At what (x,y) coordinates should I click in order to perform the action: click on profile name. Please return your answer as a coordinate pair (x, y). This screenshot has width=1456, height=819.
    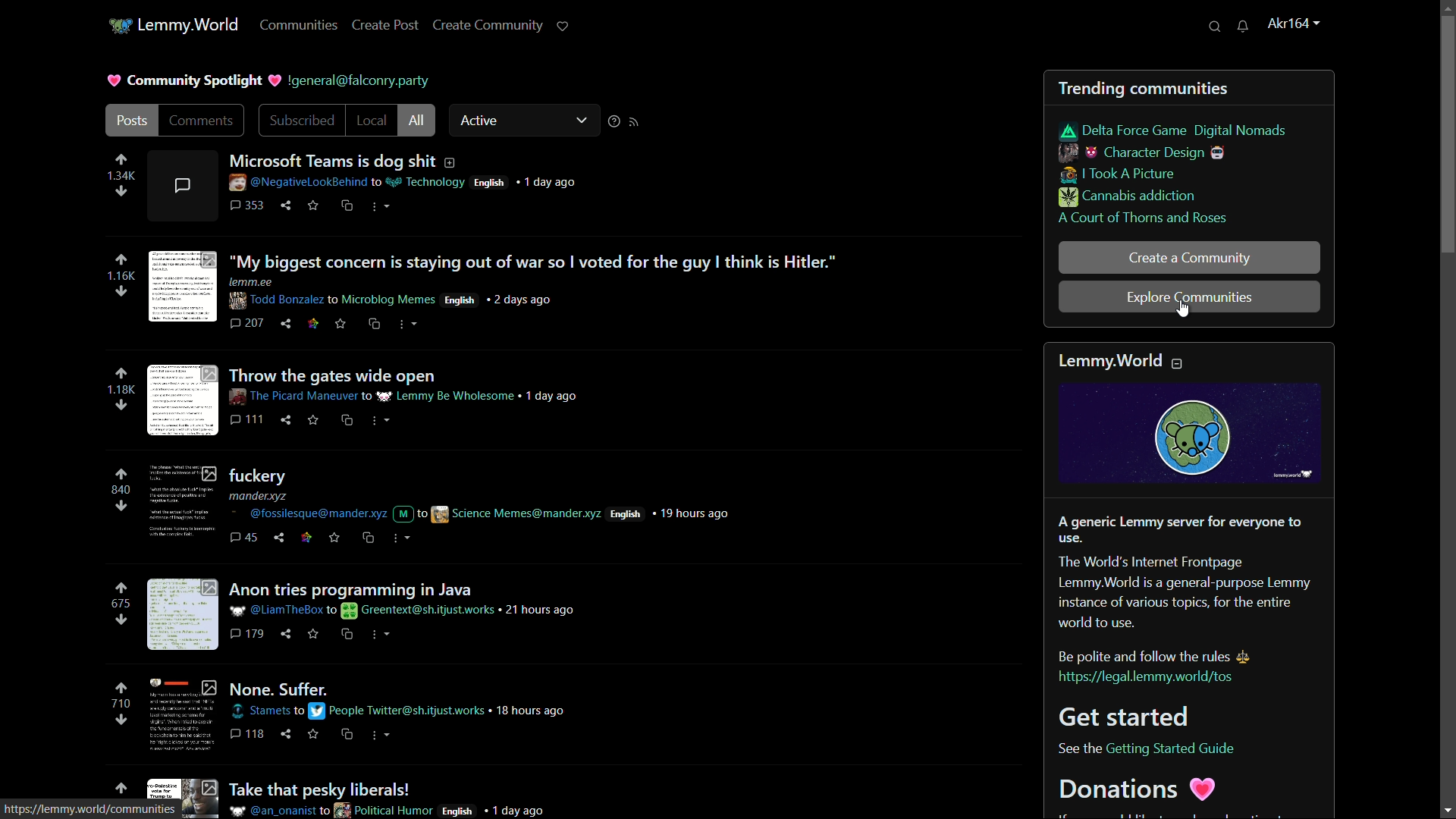
    Looking at the image, I should click on (356, 83).